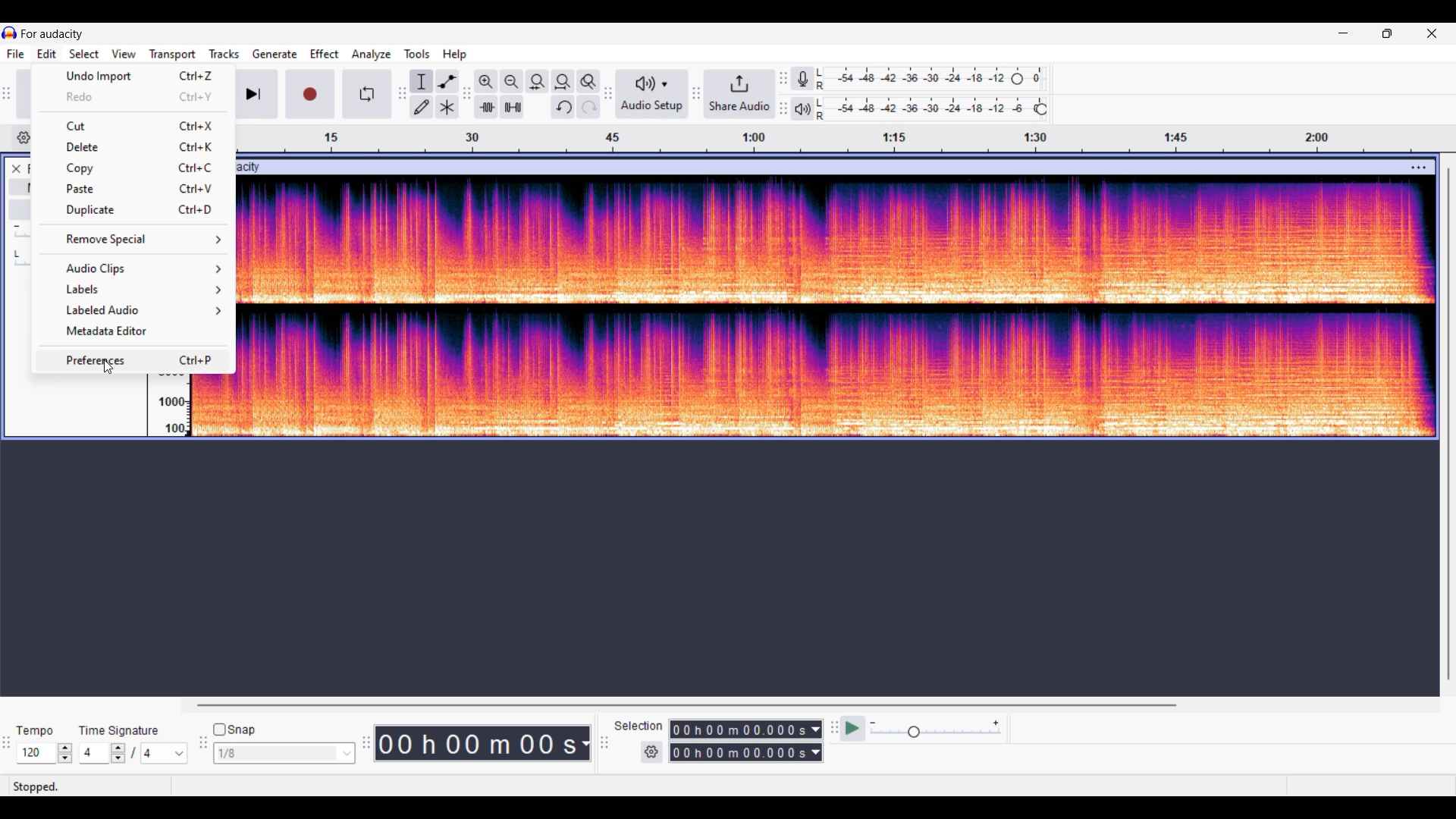 The image size is (1456, 819). Describe the element at coordinates (922, 728) in the screenshot. I see `Playback speed settings ` at that location.